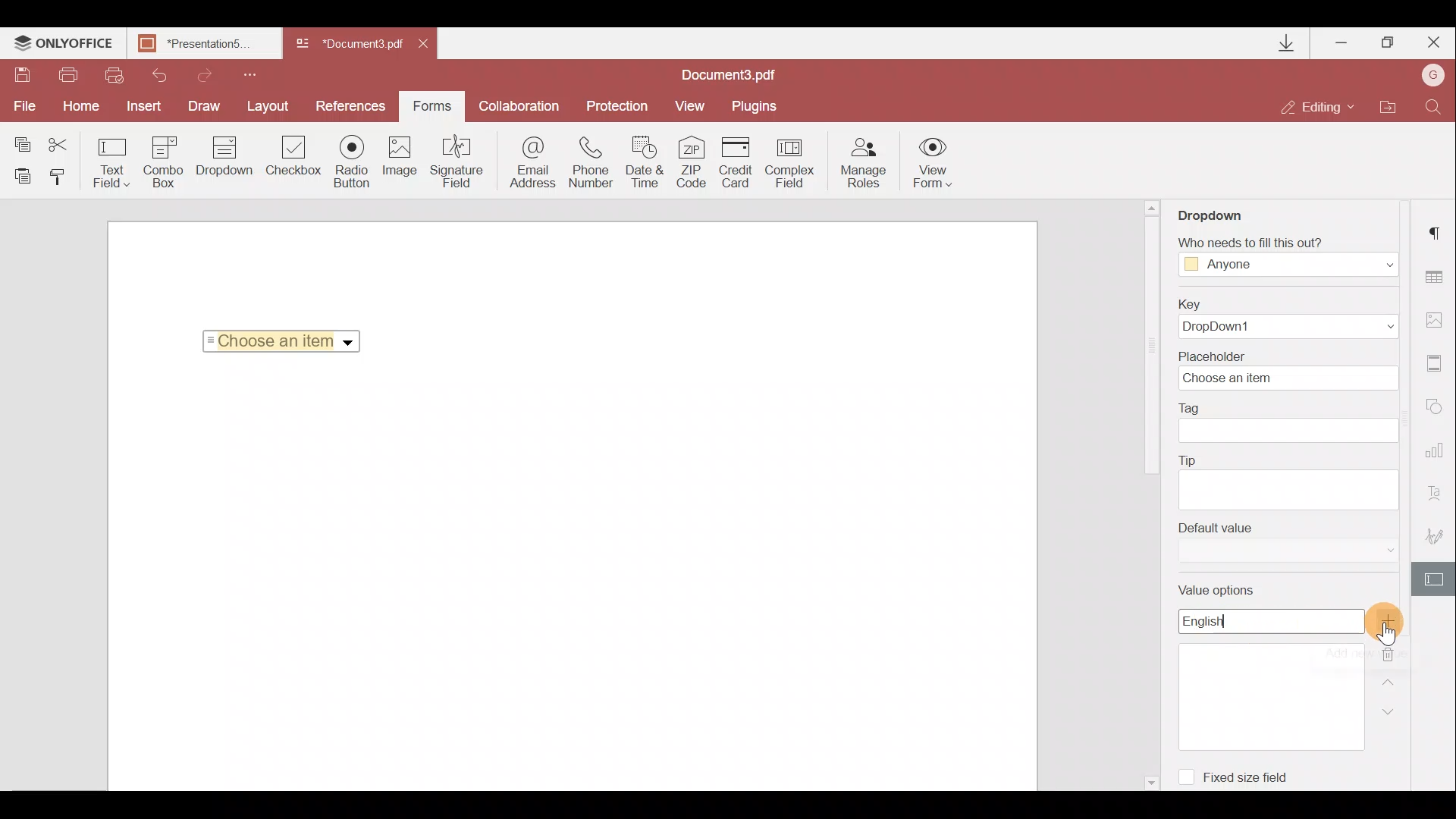 This screenshot has height=819, width=1456. What do you see at coordinates (21, 77) in the screenshot?
I see `Save` at bounding box center [21, 77].